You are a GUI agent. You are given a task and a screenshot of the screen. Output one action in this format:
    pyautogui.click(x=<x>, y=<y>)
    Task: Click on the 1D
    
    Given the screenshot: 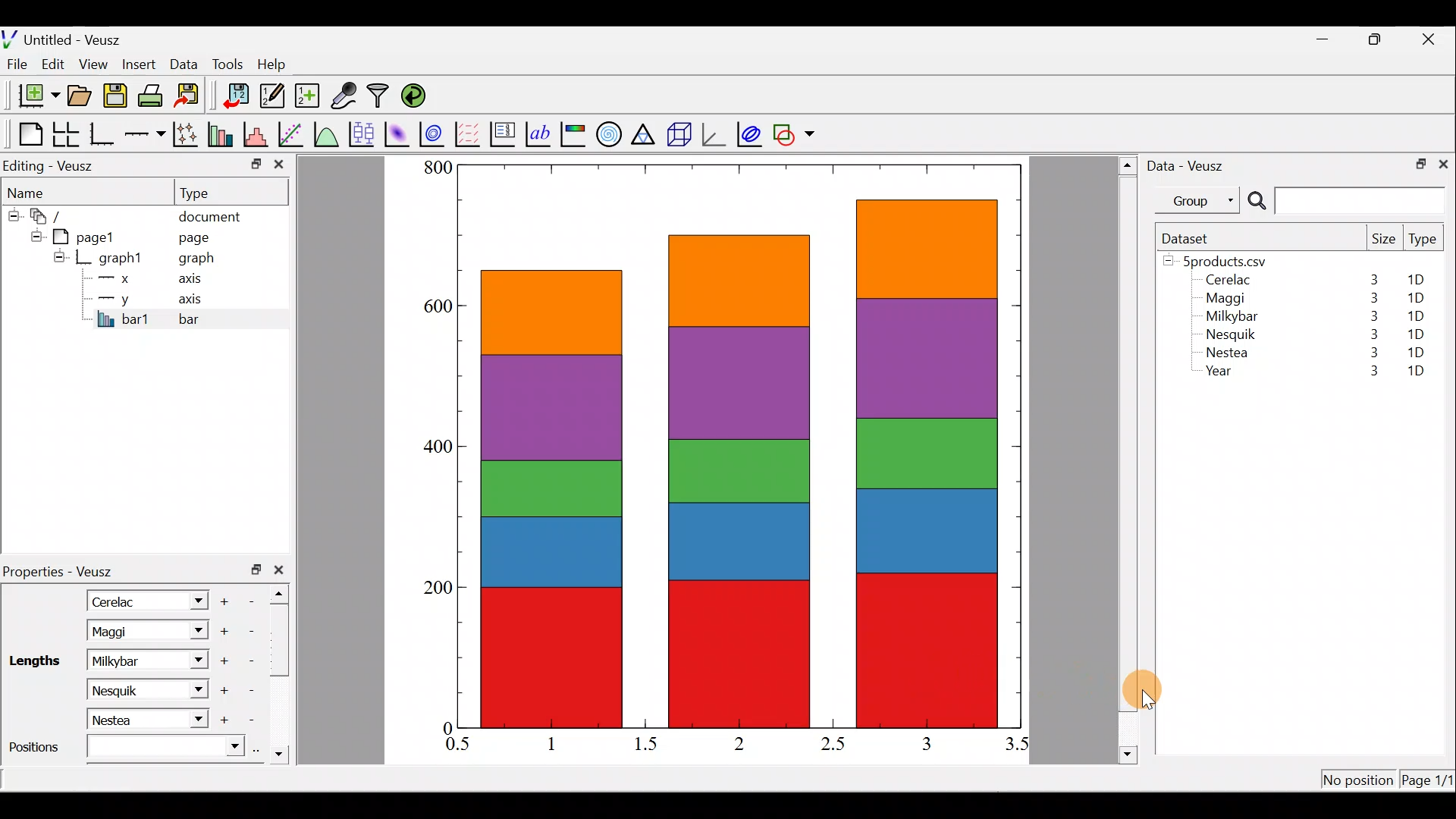 What is the action you would take?
    pyautogui.click(x=1415, y=298)
    